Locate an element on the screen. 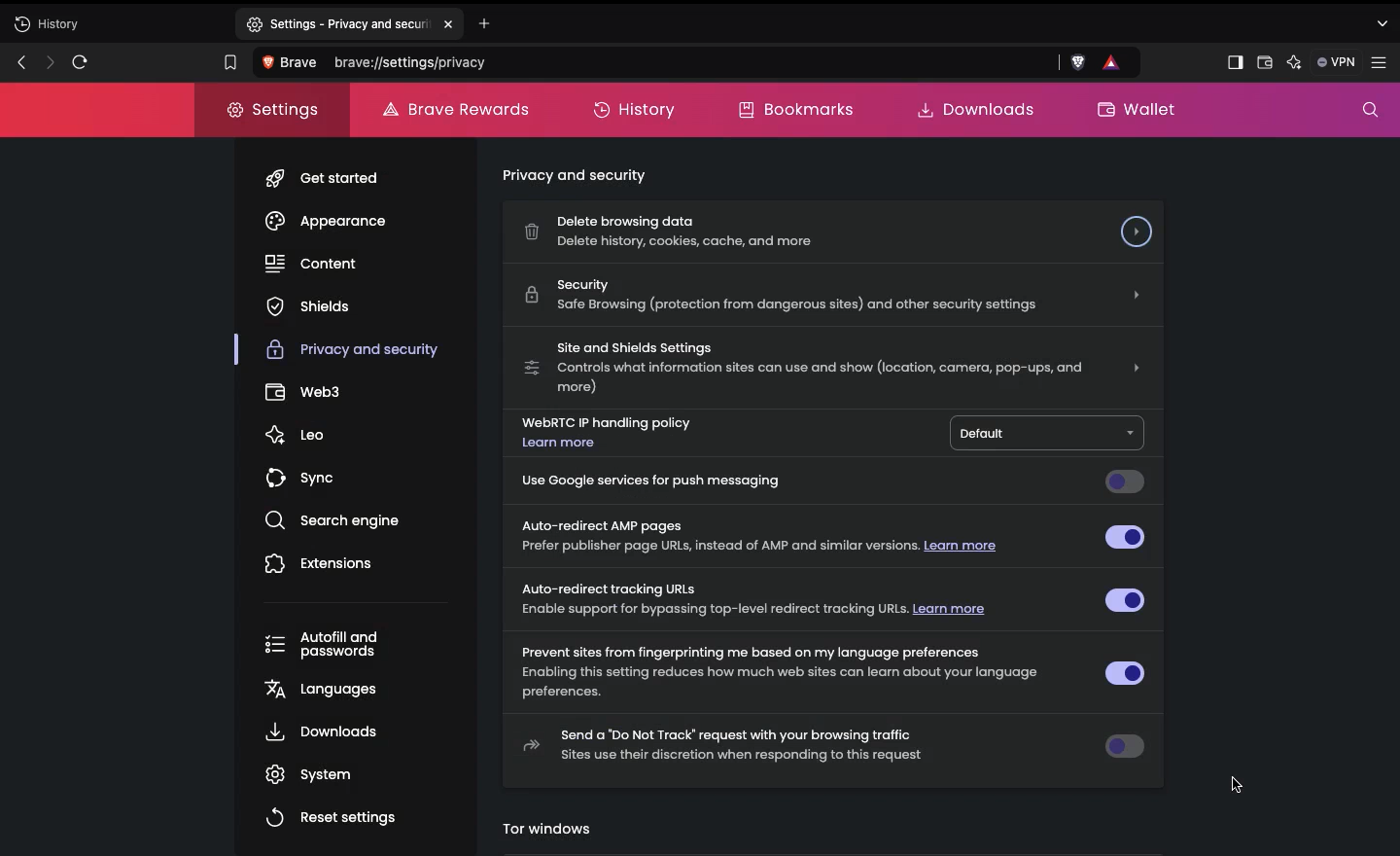 The image size is (1400, 856). Next page is located at coordinates (47, 62).